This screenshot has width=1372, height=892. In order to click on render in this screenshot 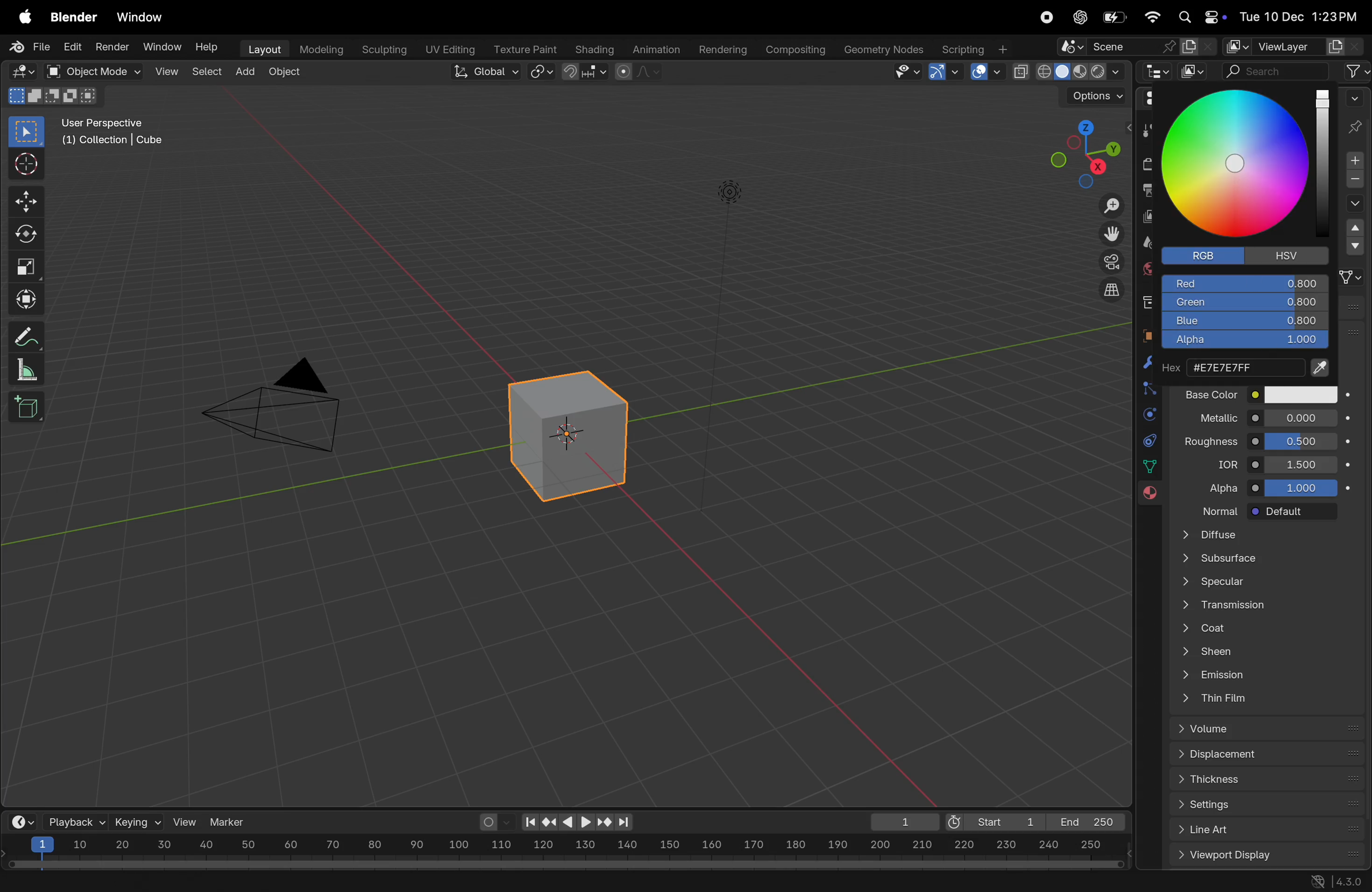, I will do `click(1148, 164)`.